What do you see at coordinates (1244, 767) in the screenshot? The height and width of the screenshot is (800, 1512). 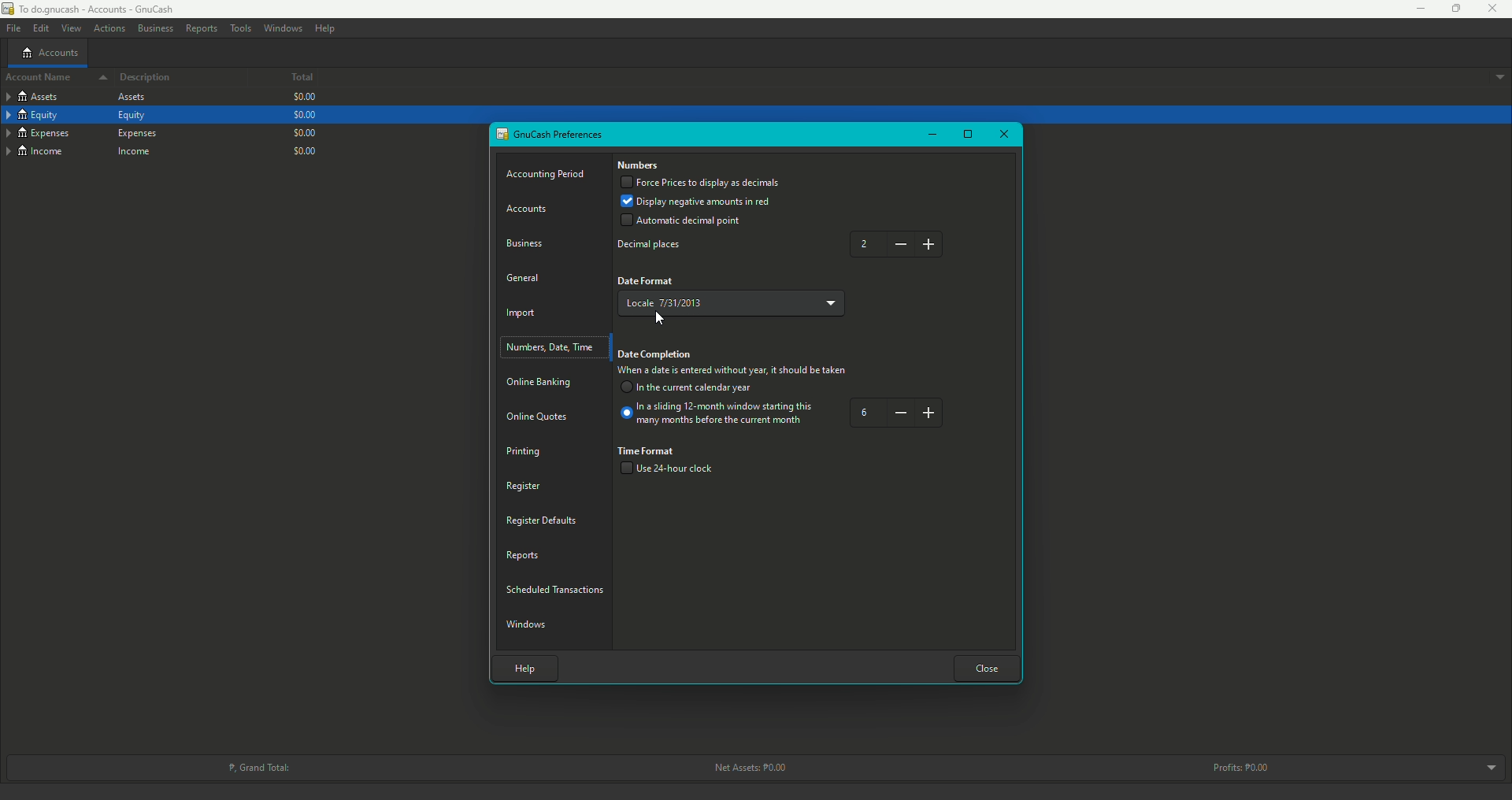 I see `Profits` at bounding box center [1244, 767].